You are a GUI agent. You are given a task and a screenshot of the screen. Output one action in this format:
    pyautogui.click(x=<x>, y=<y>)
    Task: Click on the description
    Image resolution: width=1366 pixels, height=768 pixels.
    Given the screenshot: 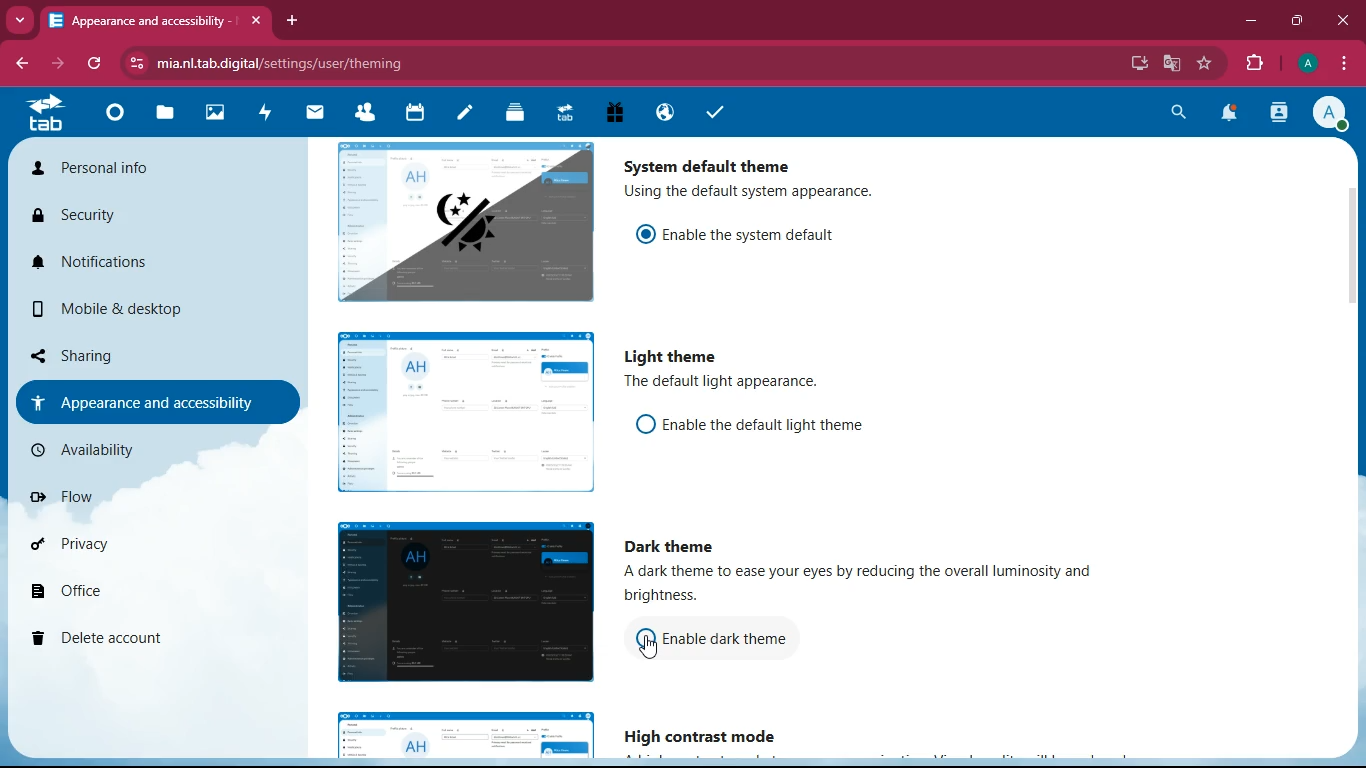 What is the action you would take?
    pyautogui.click(x=873, y=588)
    